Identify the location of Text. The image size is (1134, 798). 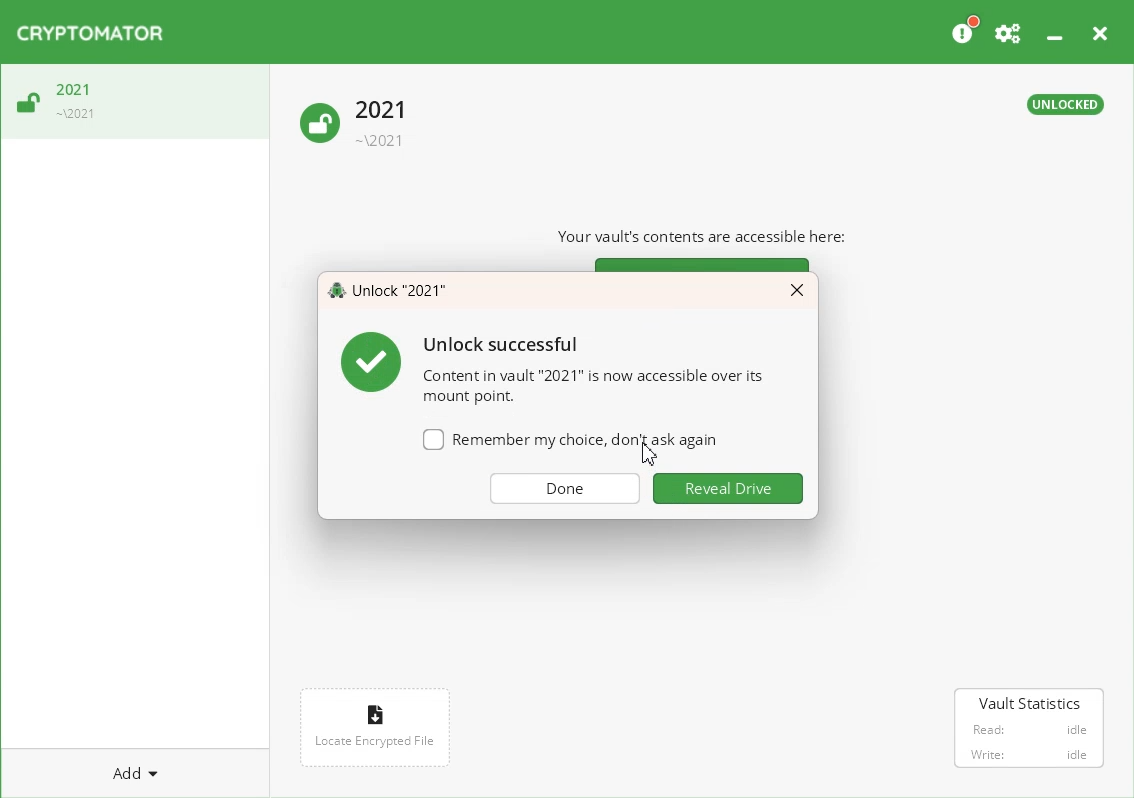
(389, 292).